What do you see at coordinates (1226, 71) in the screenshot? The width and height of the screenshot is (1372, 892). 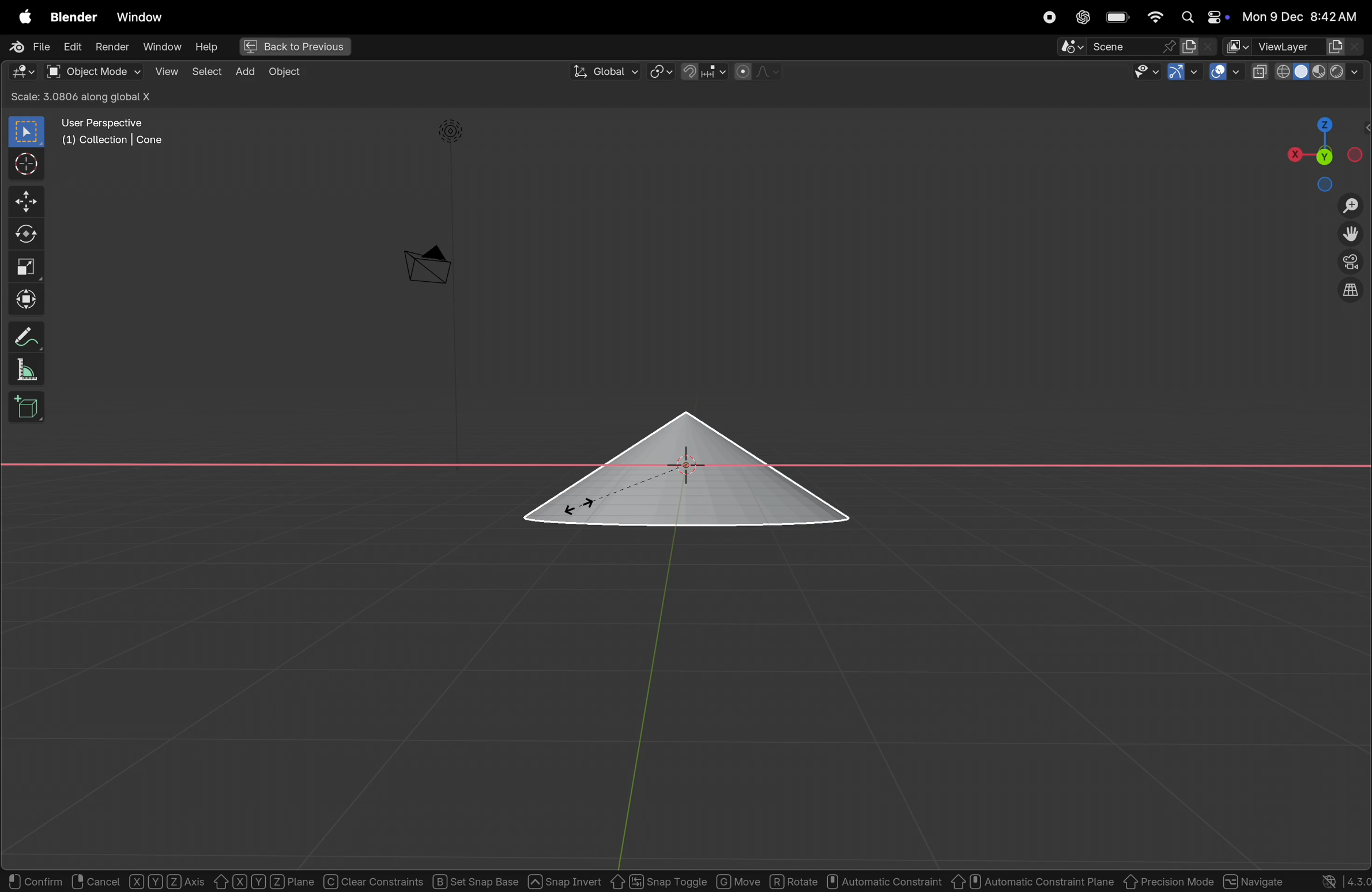 I see `show overlays` at bounding box center [1226, 71].